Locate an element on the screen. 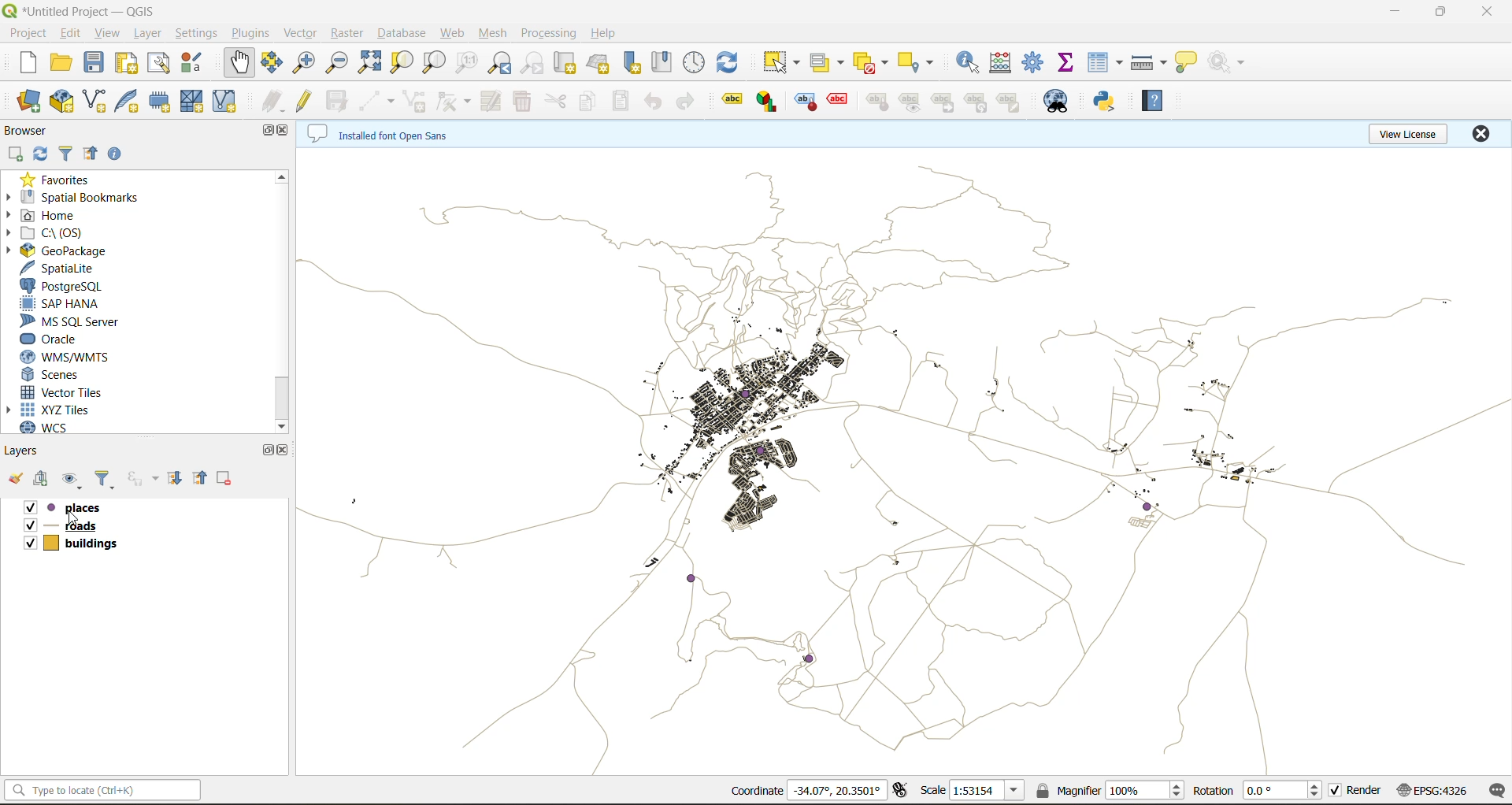 Image resolution: width=1512 pixels, height=805 pixels. select  is located at coordinates (780, 62).